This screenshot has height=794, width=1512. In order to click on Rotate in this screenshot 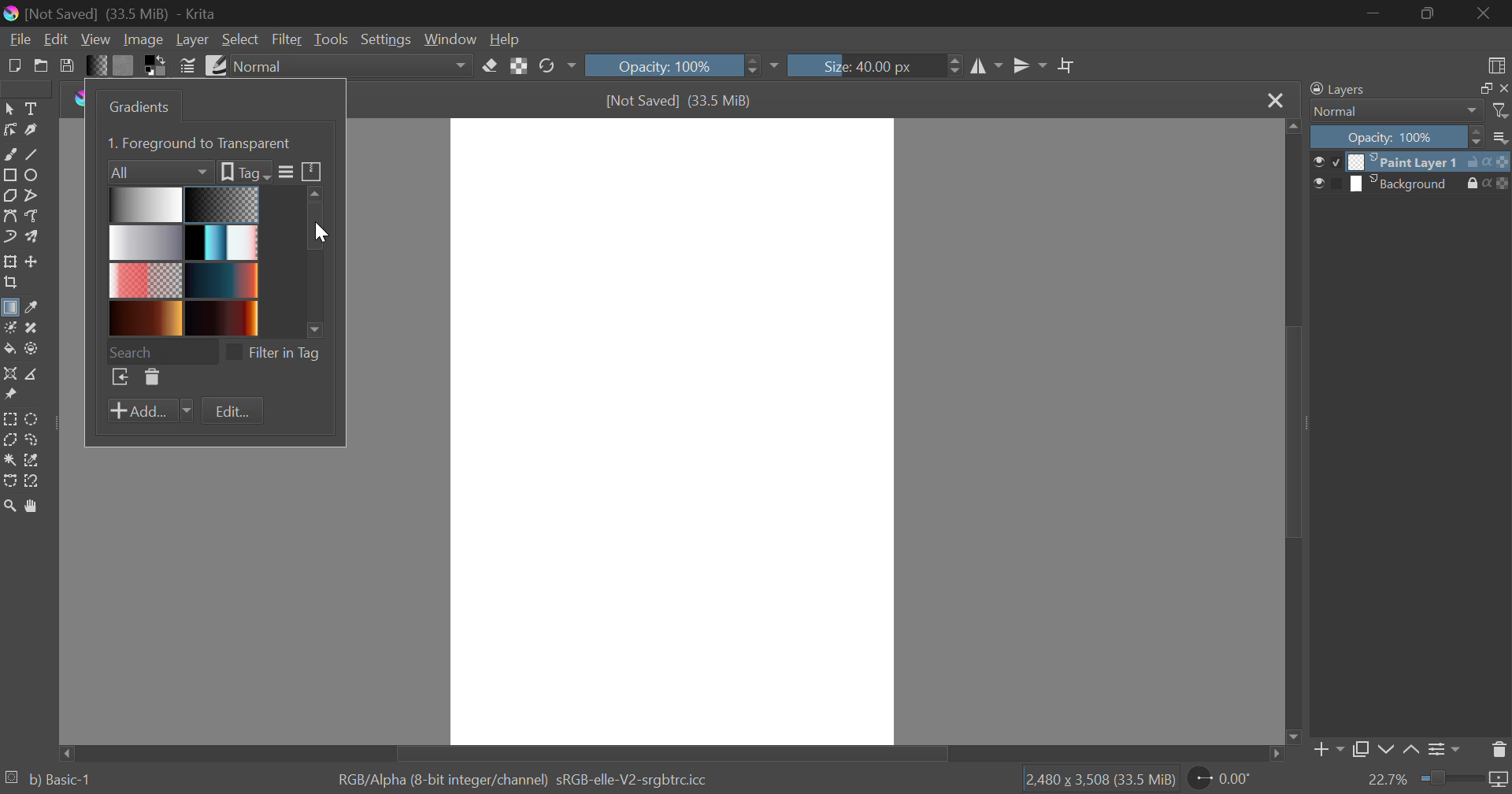, I will do `click(557, 67)`.